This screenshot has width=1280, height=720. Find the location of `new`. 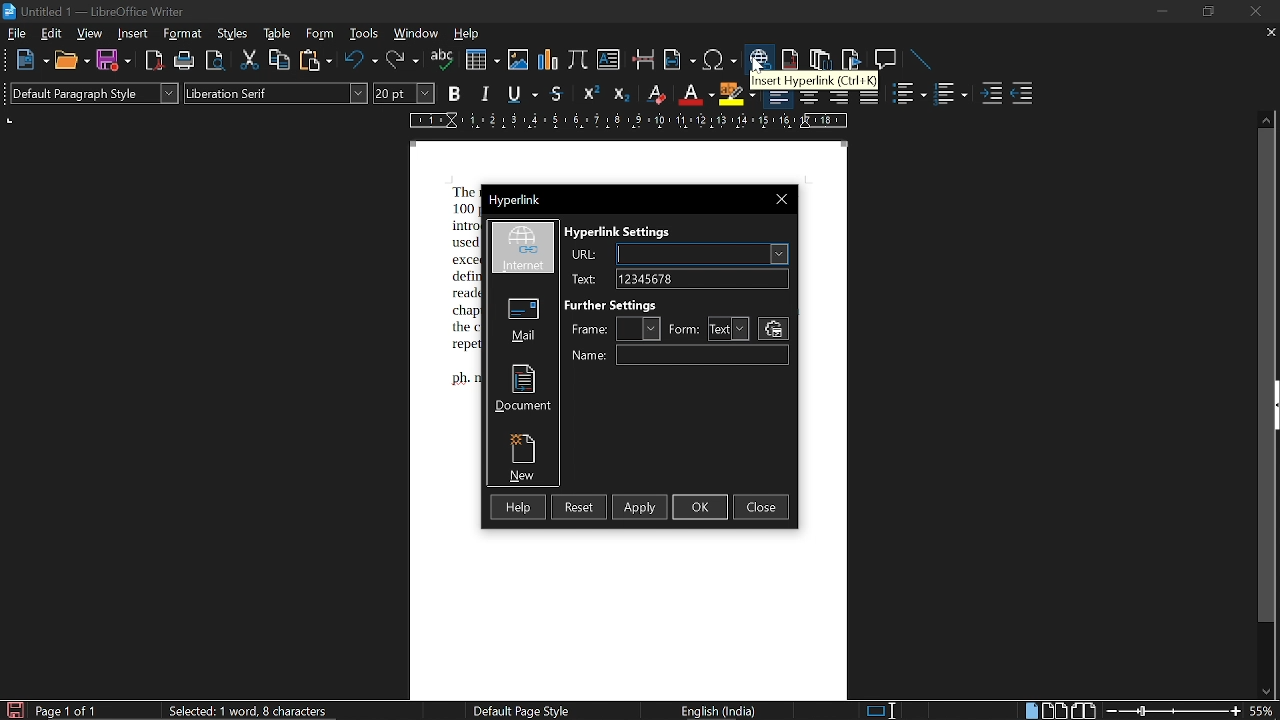

new is located at coordinates (33, 60).